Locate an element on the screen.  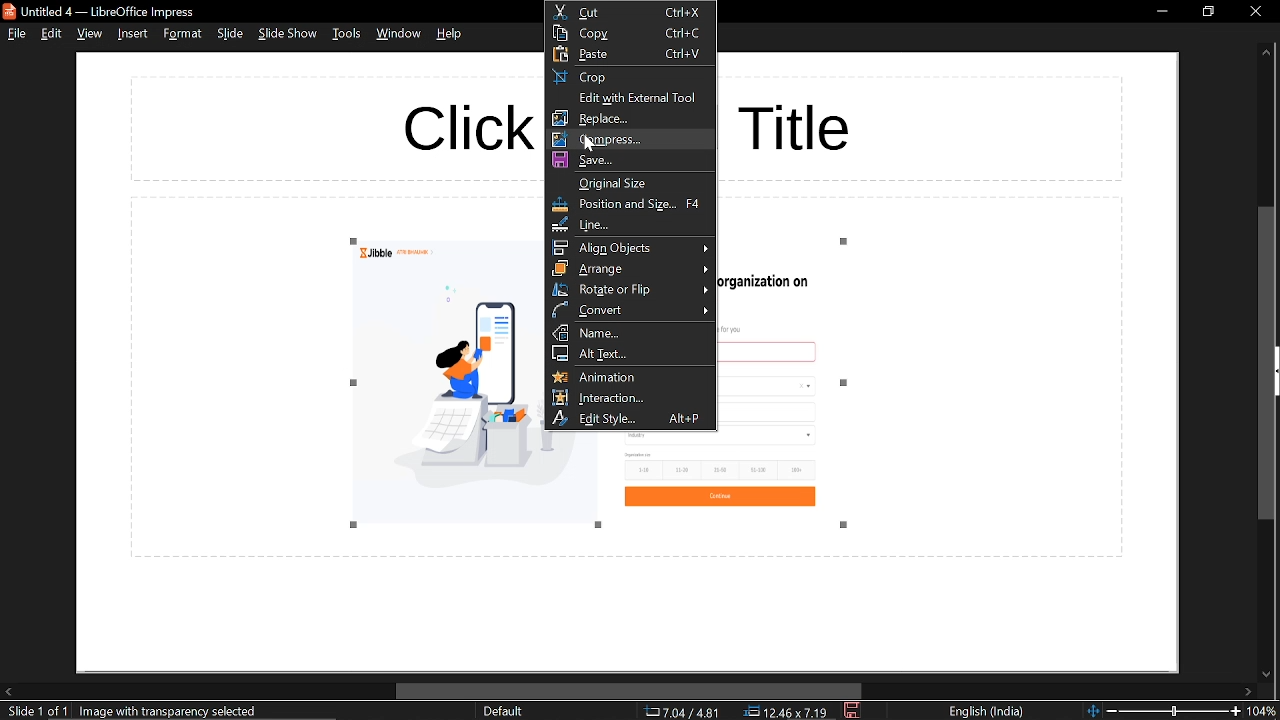
change zoom is located at coordinates (1162, 712).